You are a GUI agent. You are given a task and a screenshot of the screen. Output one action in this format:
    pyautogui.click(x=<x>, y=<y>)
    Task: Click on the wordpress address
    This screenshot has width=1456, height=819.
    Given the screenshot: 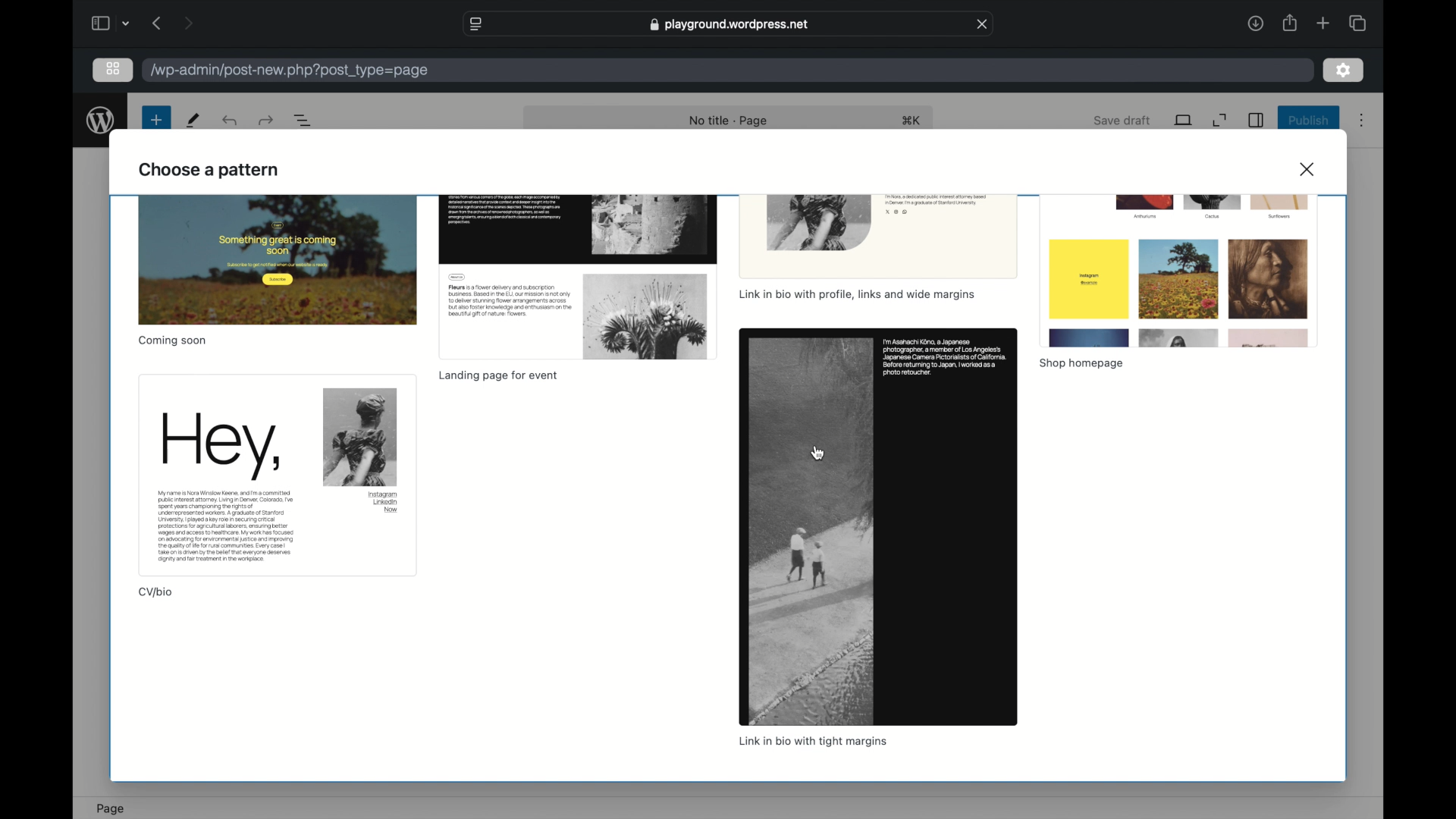 What is the action you would take?
    pyautogui.click(x=290, y=71)
    